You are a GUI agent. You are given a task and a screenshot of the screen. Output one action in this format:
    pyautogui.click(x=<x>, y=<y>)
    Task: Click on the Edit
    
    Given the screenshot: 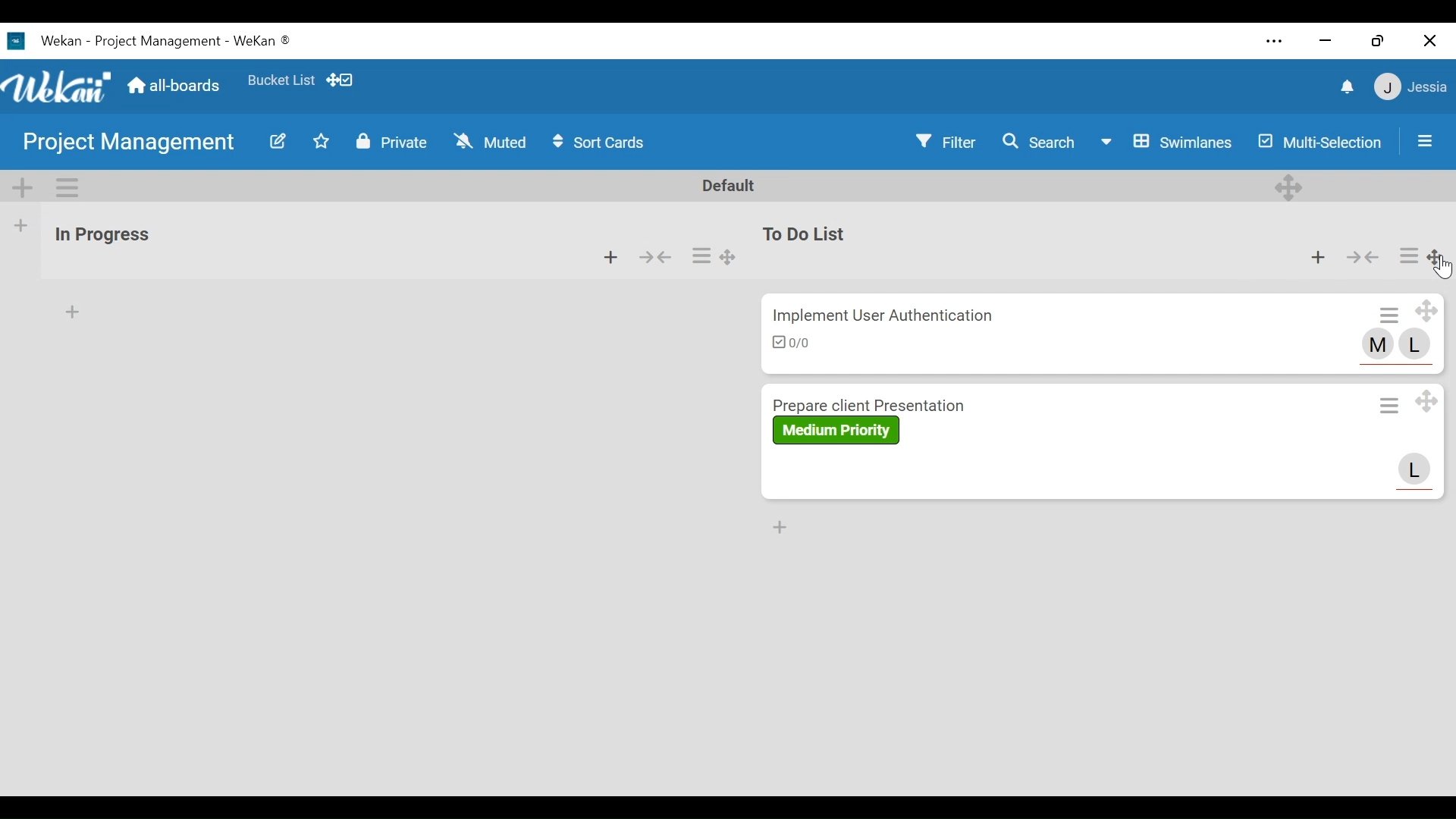 What is the action you would take?
    pyautogui.click(x=279, y=140)
    